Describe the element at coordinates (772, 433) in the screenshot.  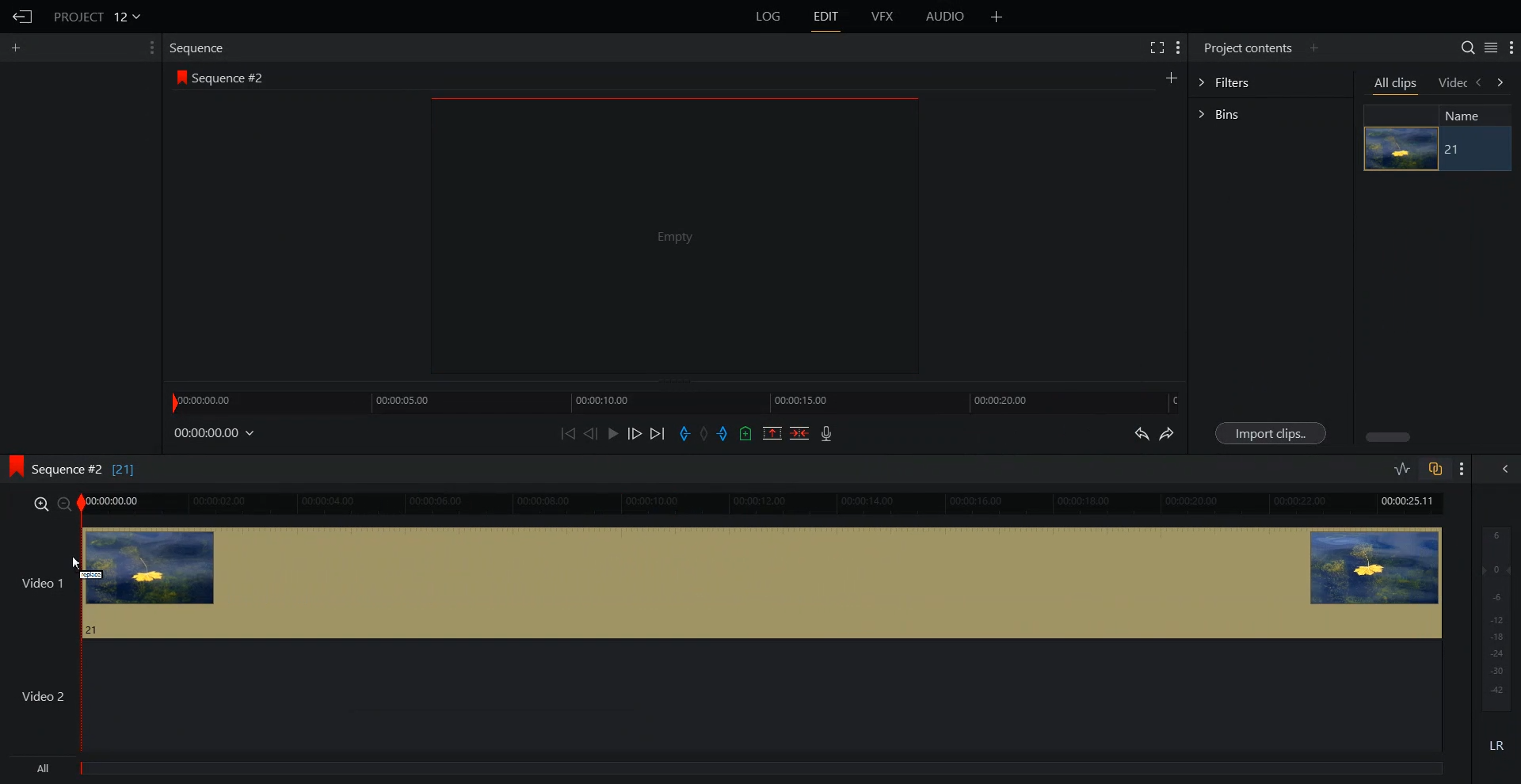
I see `Remove the marked section` at that location.